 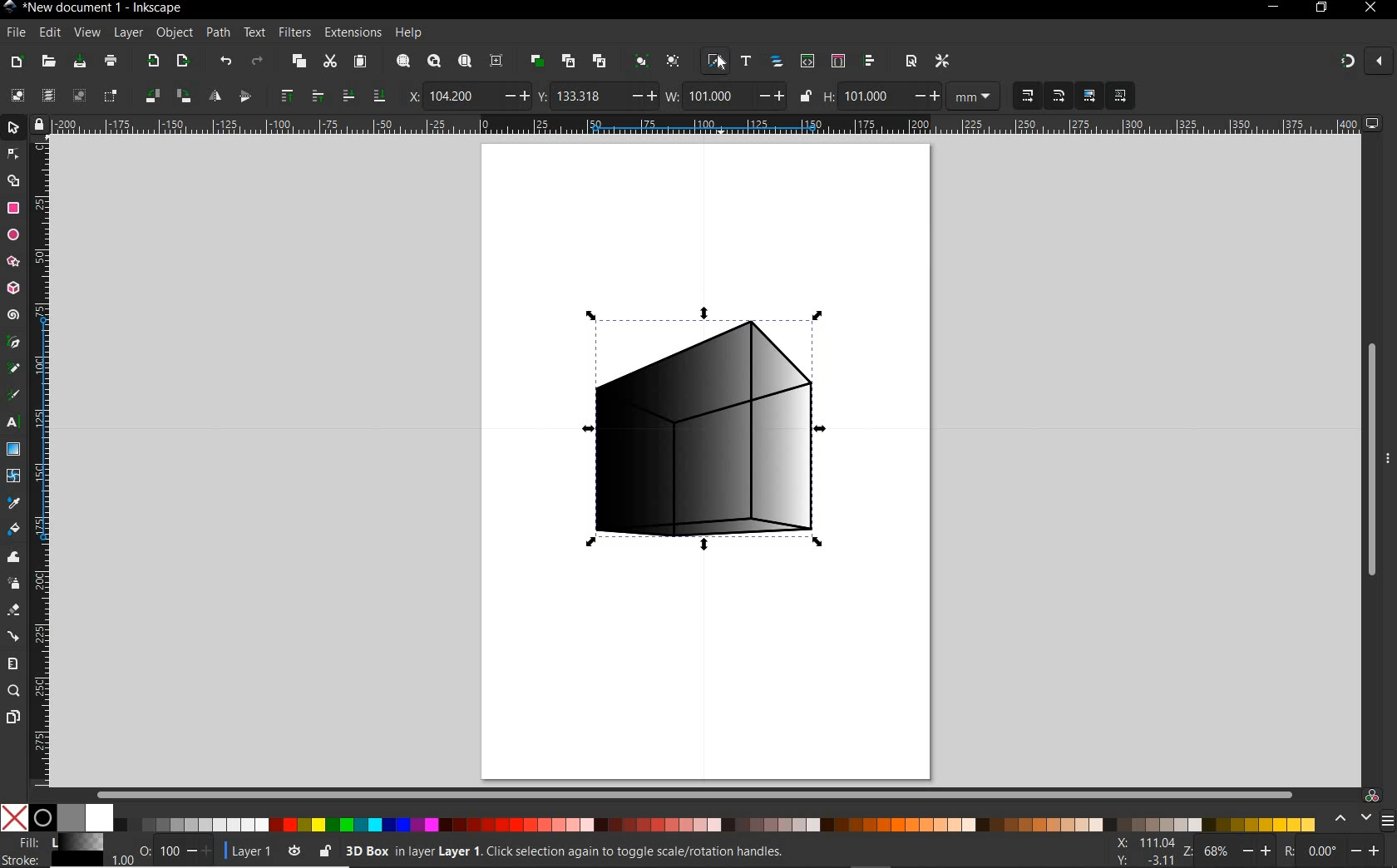 What do you see at coordinates (14, 262) in the screenshot?
I see `STAR TOOL` at bounding box center [14, 262].